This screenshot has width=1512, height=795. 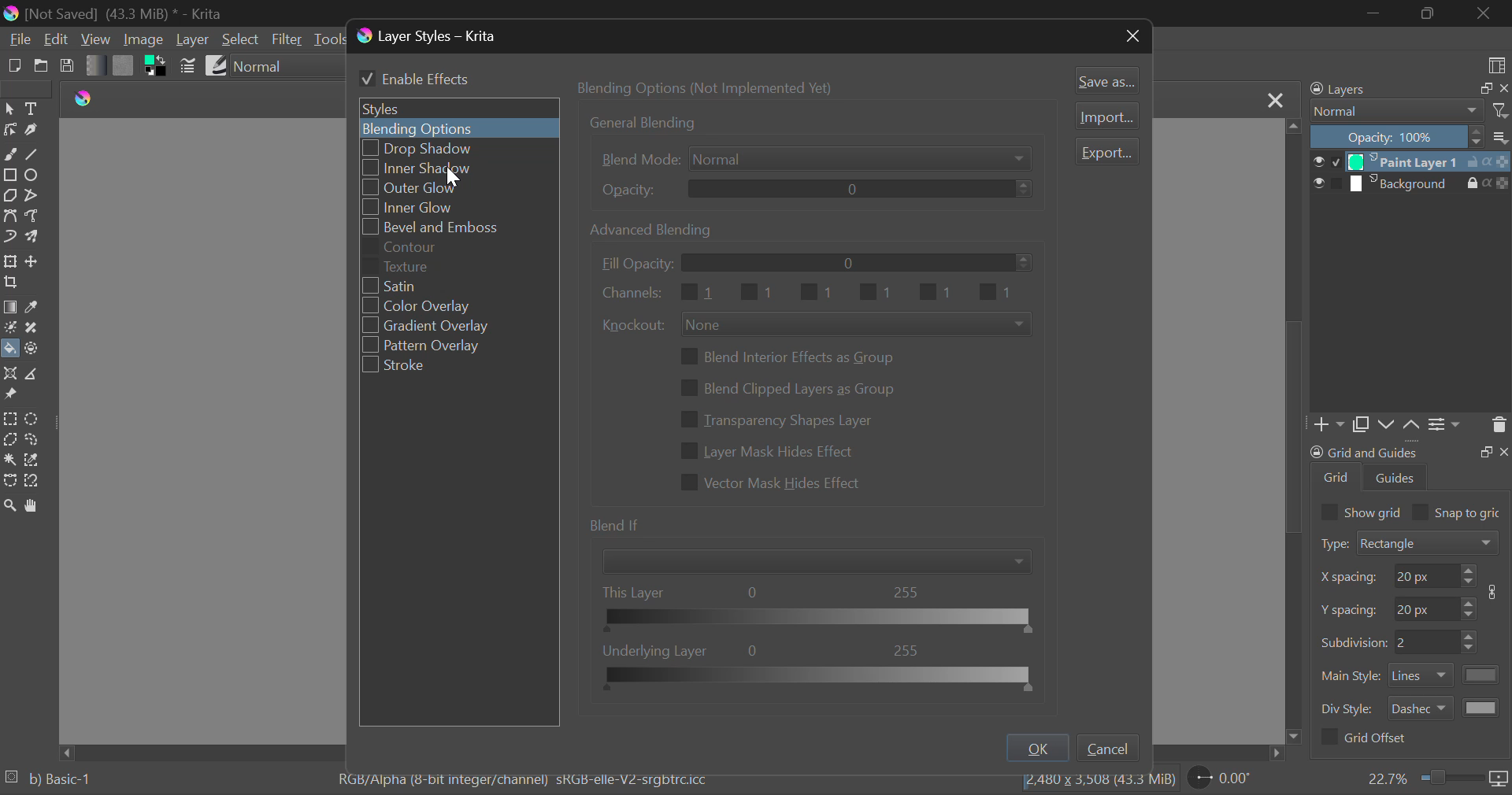 What do you see at coordinates (57, 39) in the screenshot?
I see `Edit` at bounding box center [57, 39].